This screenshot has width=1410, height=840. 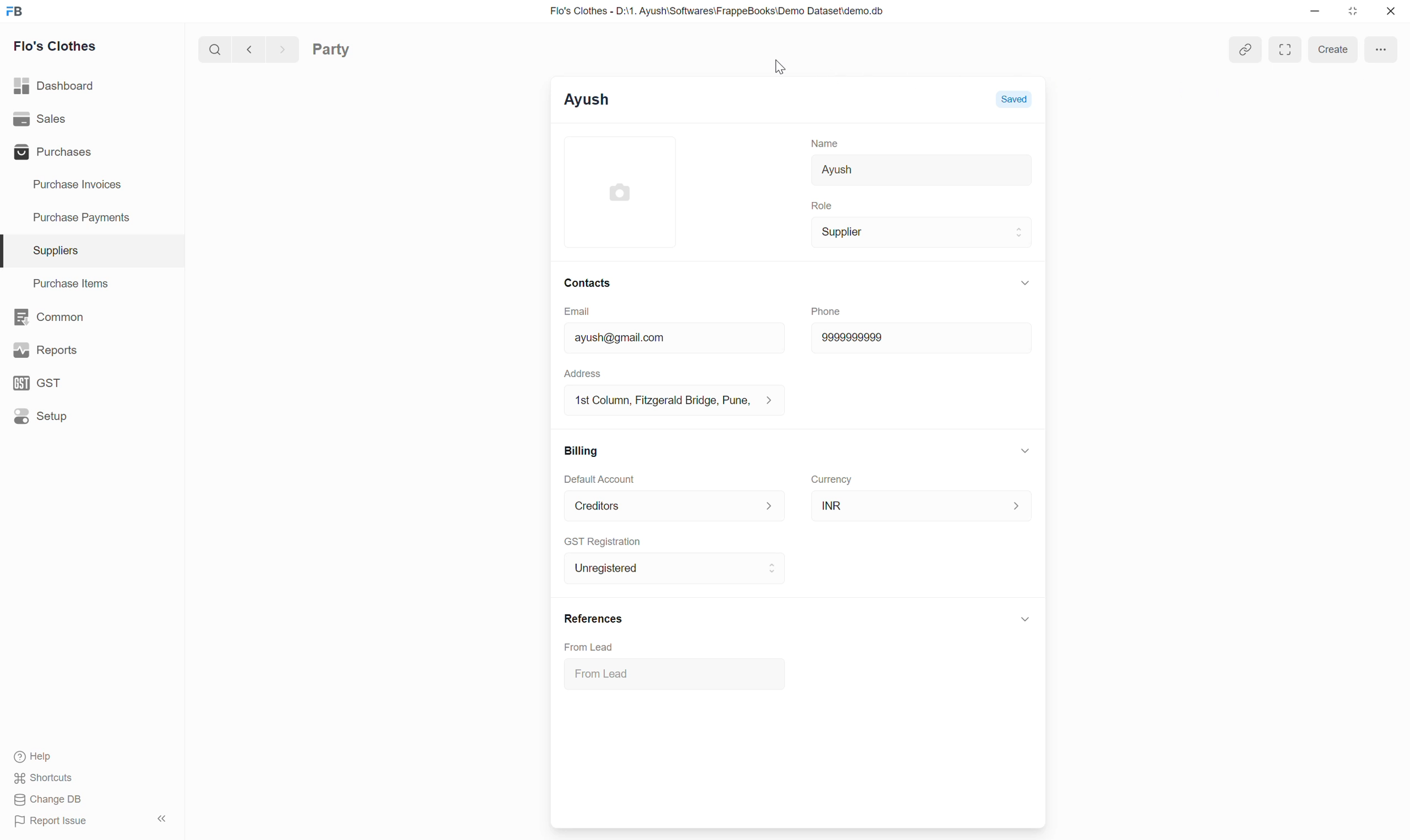 I want to click on Reports, so click(x=92, y=350).